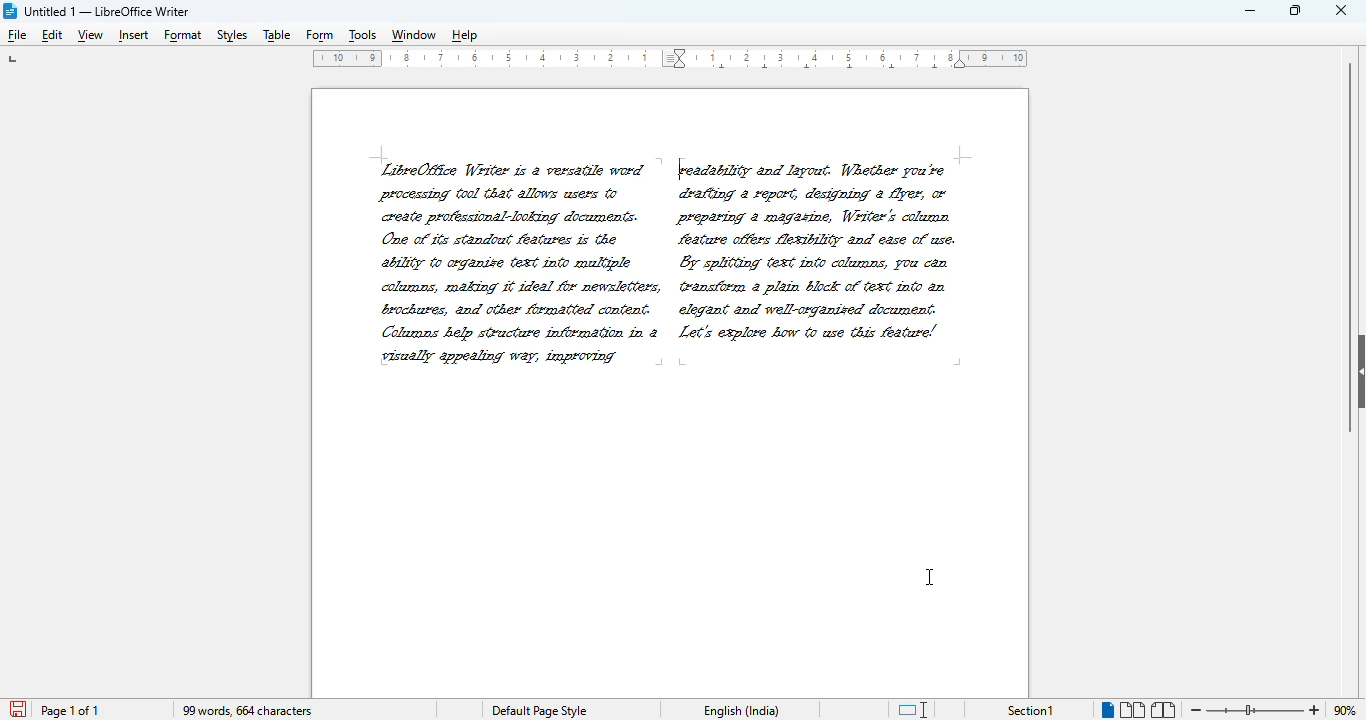  I want to click on insert, so click(134, 37).